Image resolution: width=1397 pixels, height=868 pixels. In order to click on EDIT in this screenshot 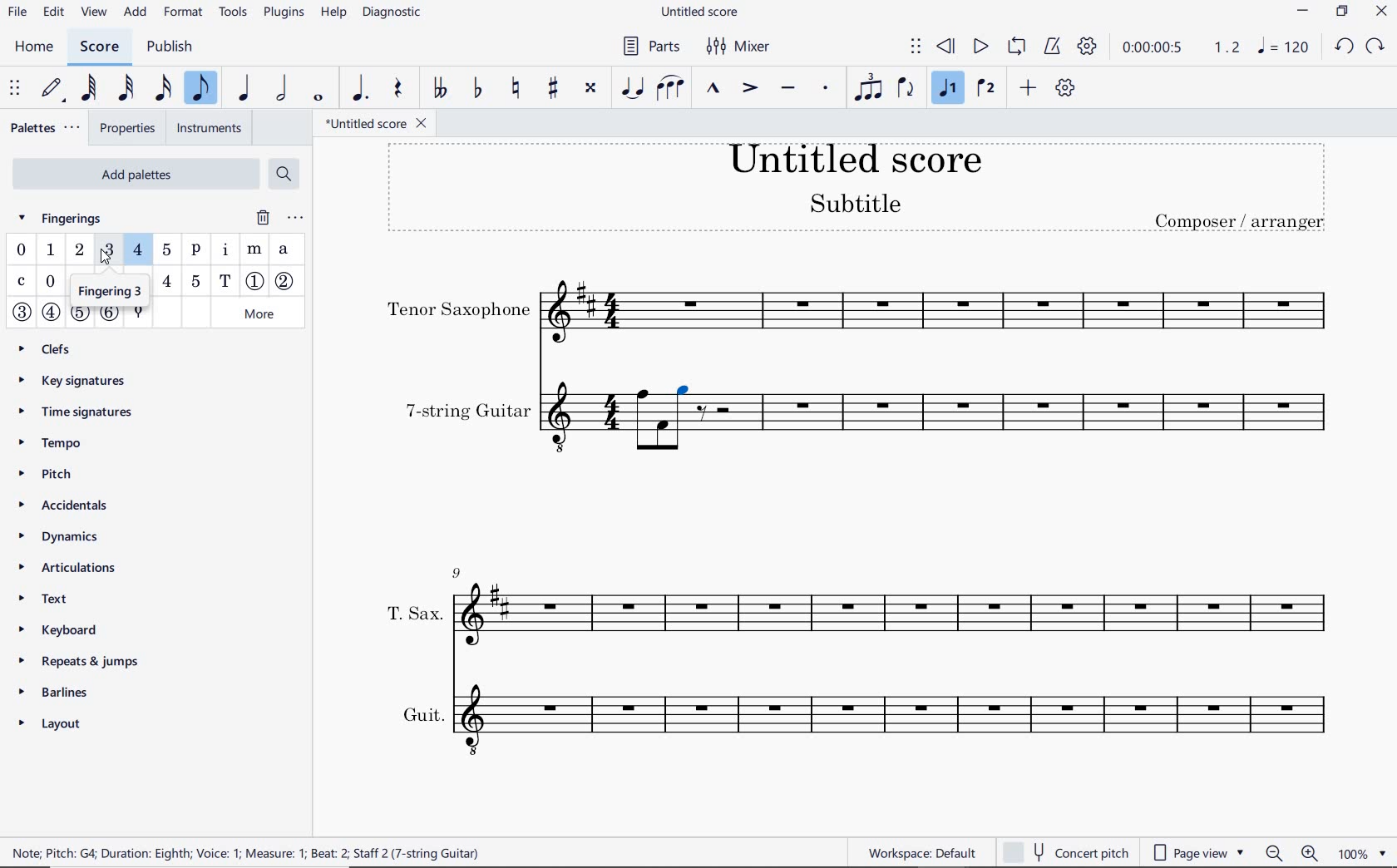, I will do `click(52, 13)`.